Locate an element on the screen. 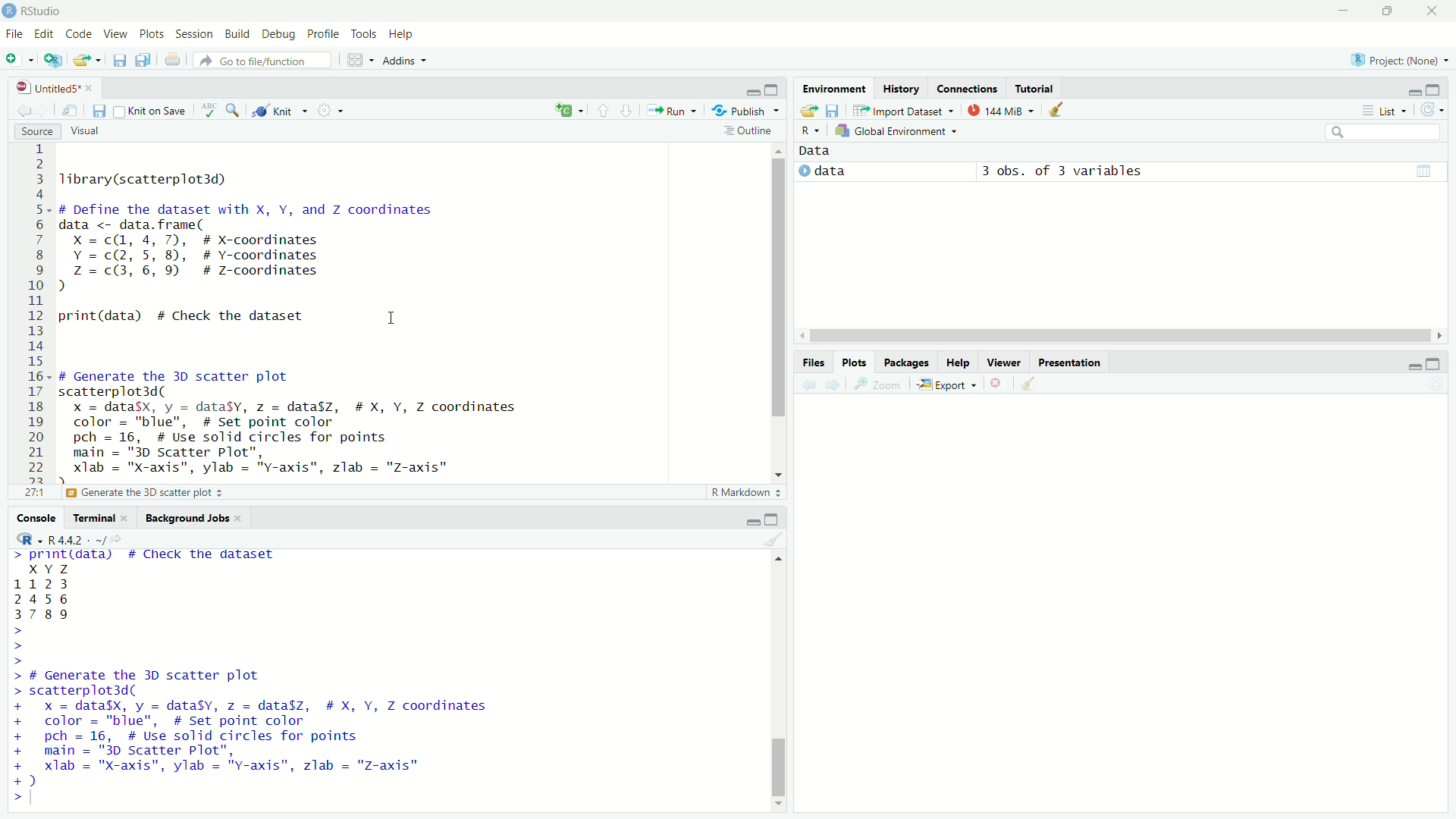 The height and width of the screenshot is (819, 1456). Previous plot is located at coordinates (804, 387).